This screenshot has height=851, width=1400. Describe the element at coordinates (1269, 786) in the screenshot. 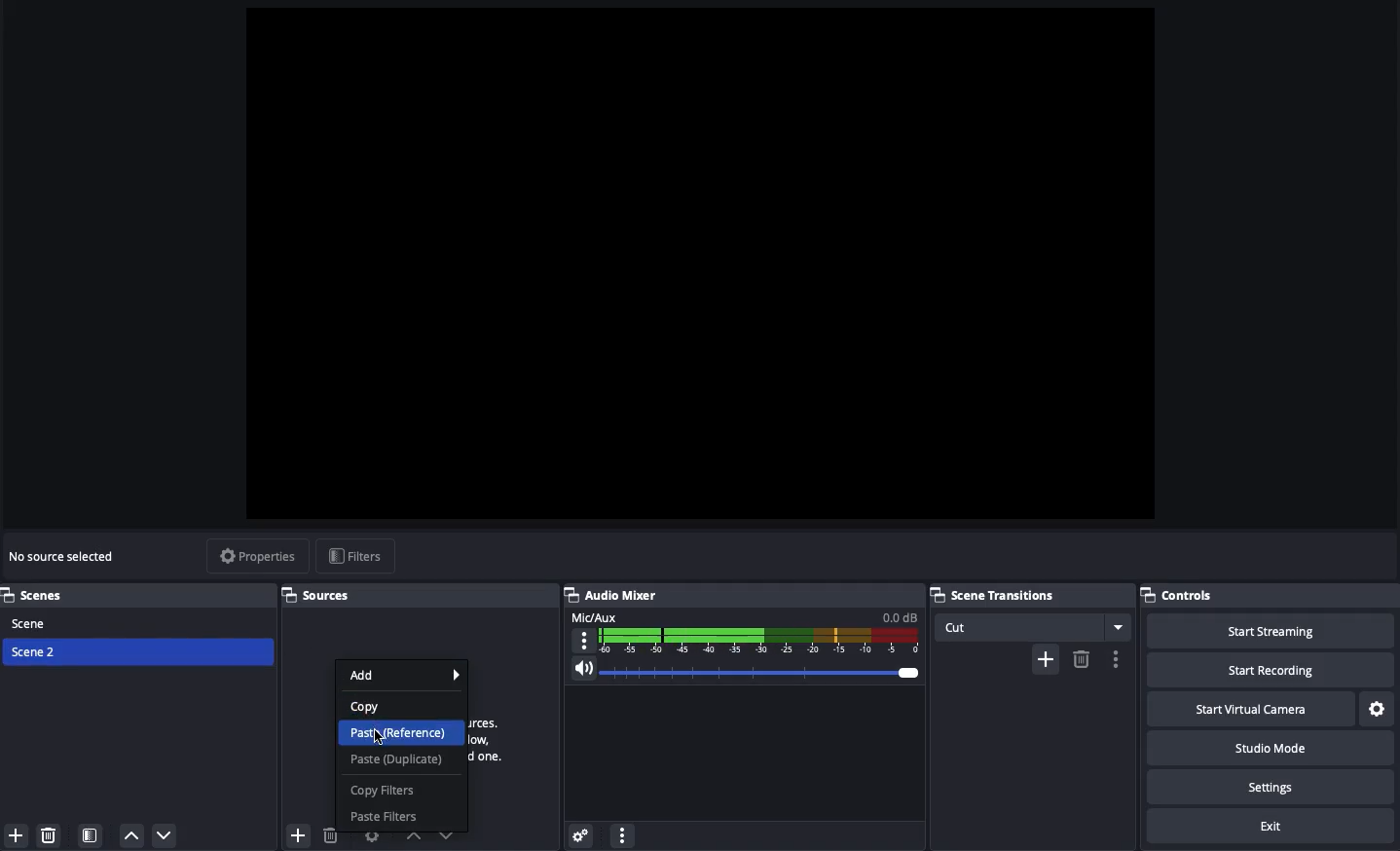

I see `Settings` at that location.